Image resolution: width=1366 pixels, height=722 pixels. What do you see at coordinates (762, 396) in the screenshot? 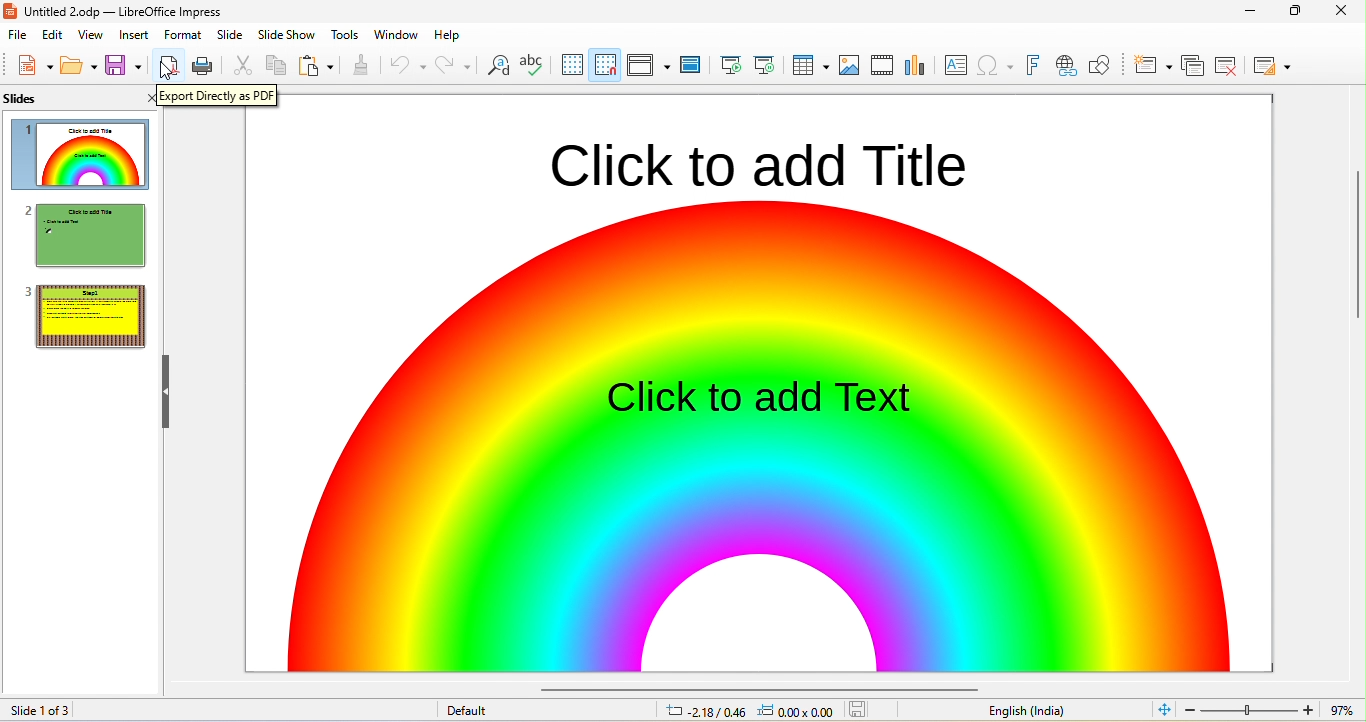
I see `click to add text` at bounding box center [762, 396].